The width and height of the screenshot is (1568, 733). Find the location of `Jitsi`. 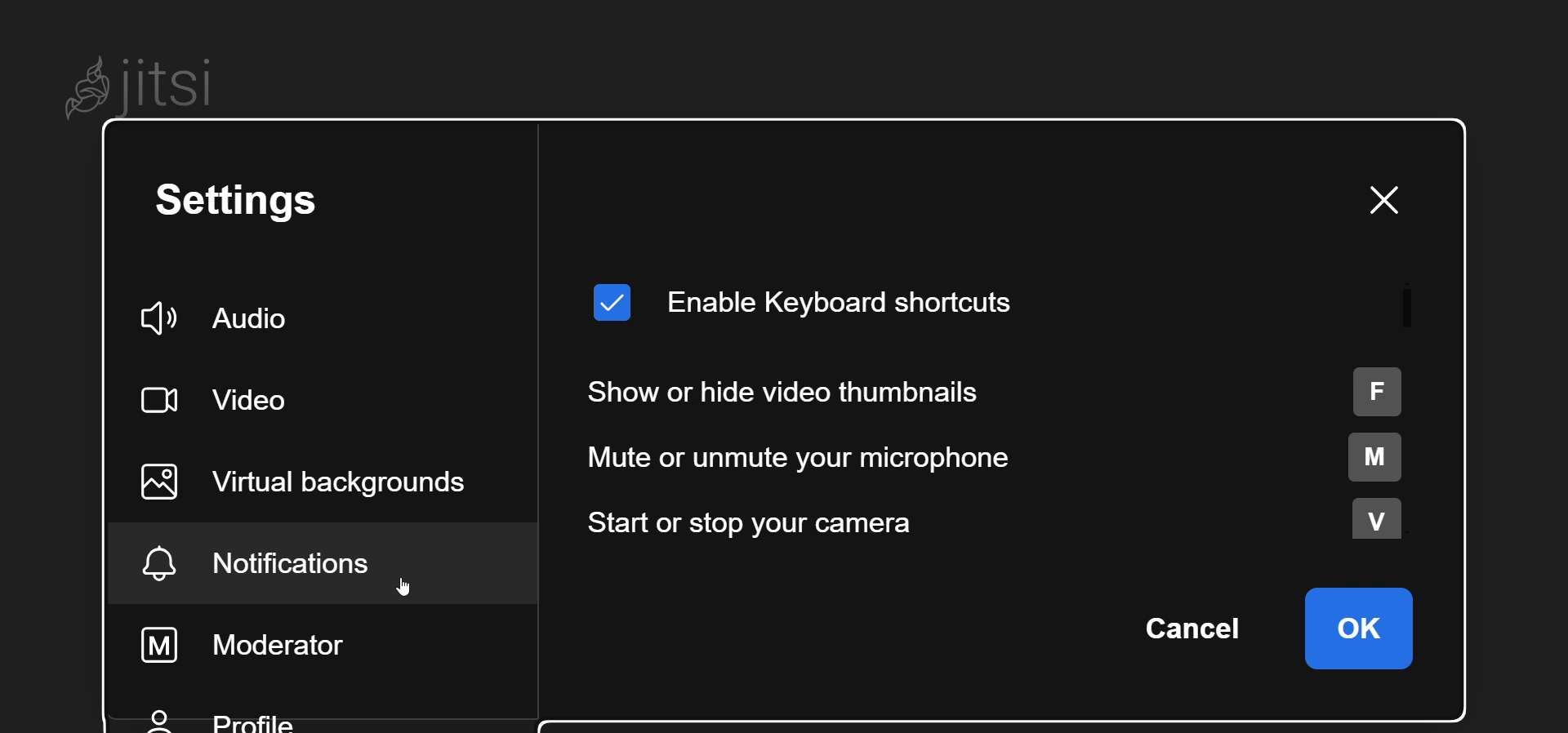

Jitsi is located at coordinates (145, 89).